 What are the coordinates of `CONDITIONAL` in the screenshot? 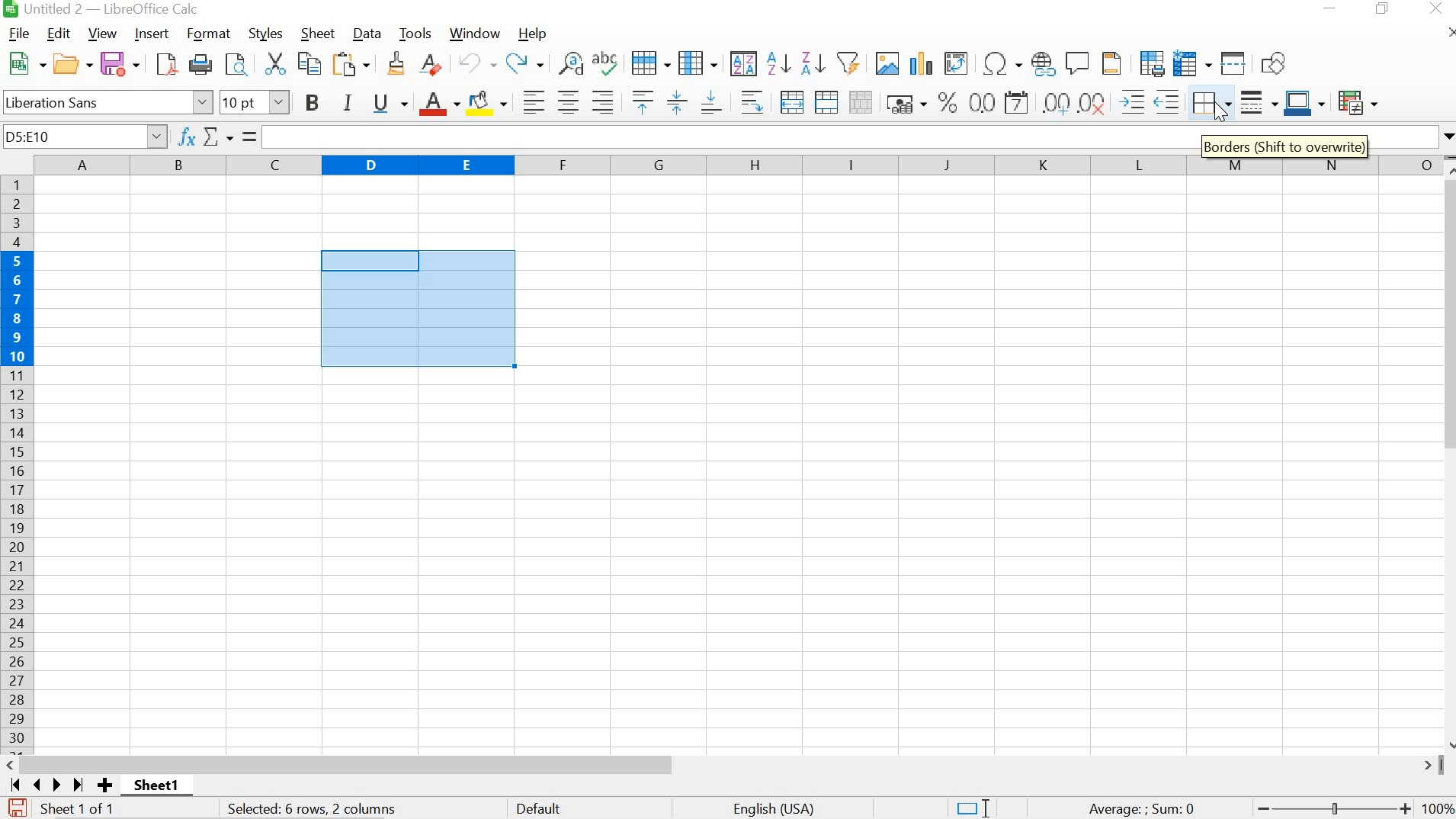 It's located at (1357, 101).